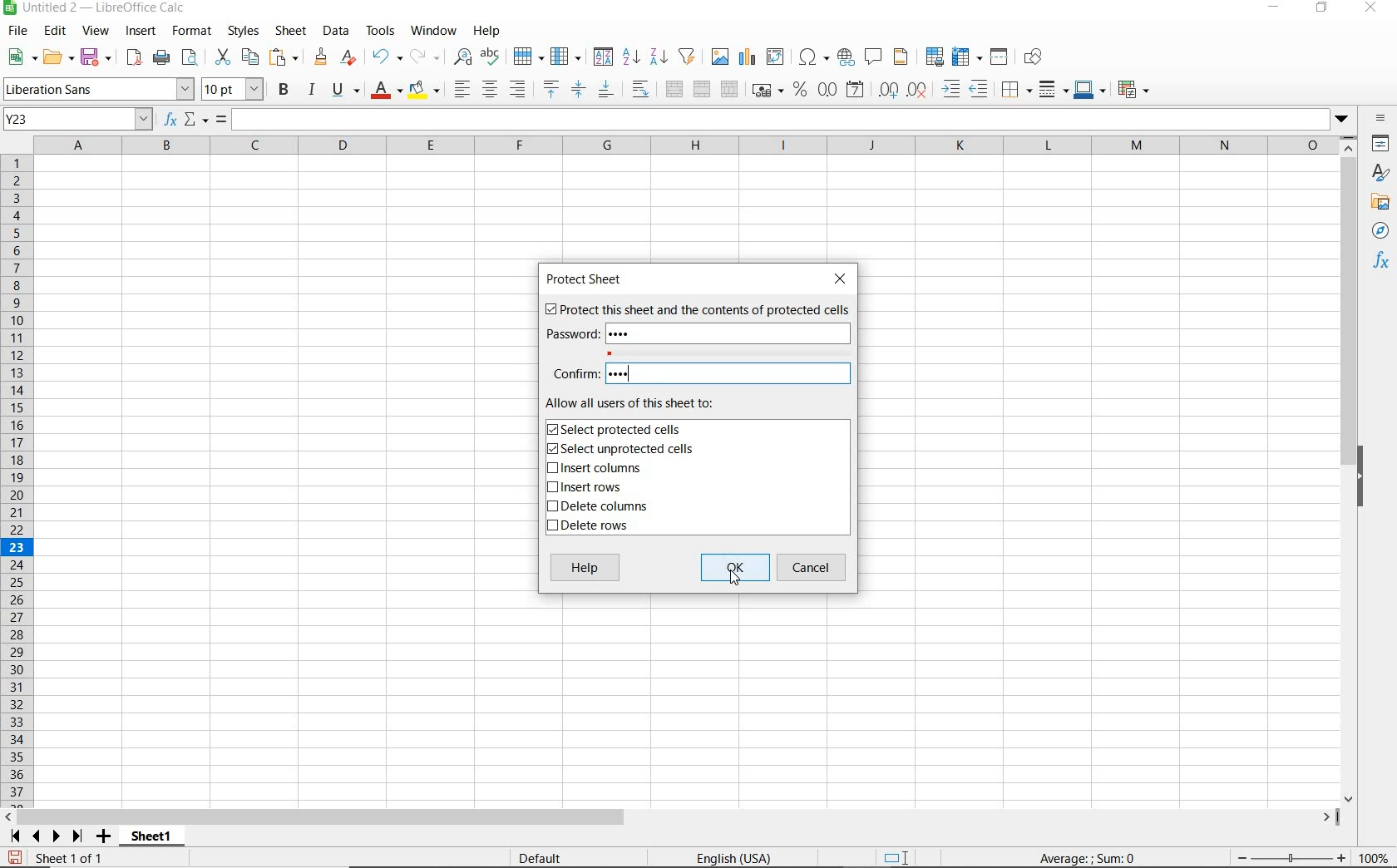 This screenshot has height=868, width=1397. What do you see at coordinates (702, 90) in the screenshot?
I see `MERGE CELLS` at bounding box center [702, 90].